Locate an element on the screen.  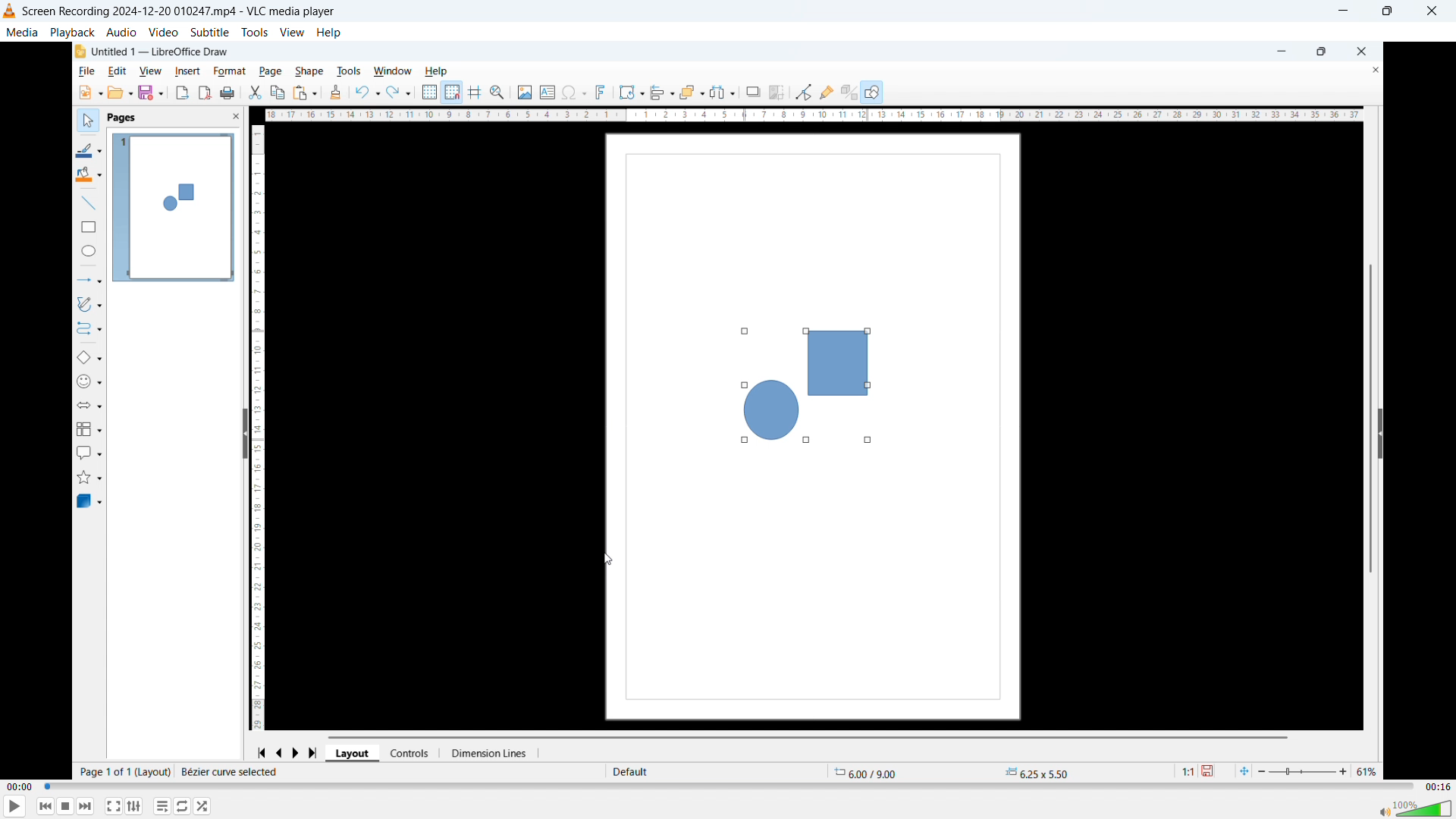
Backward or previous media  is located at coordinates (45, 806).